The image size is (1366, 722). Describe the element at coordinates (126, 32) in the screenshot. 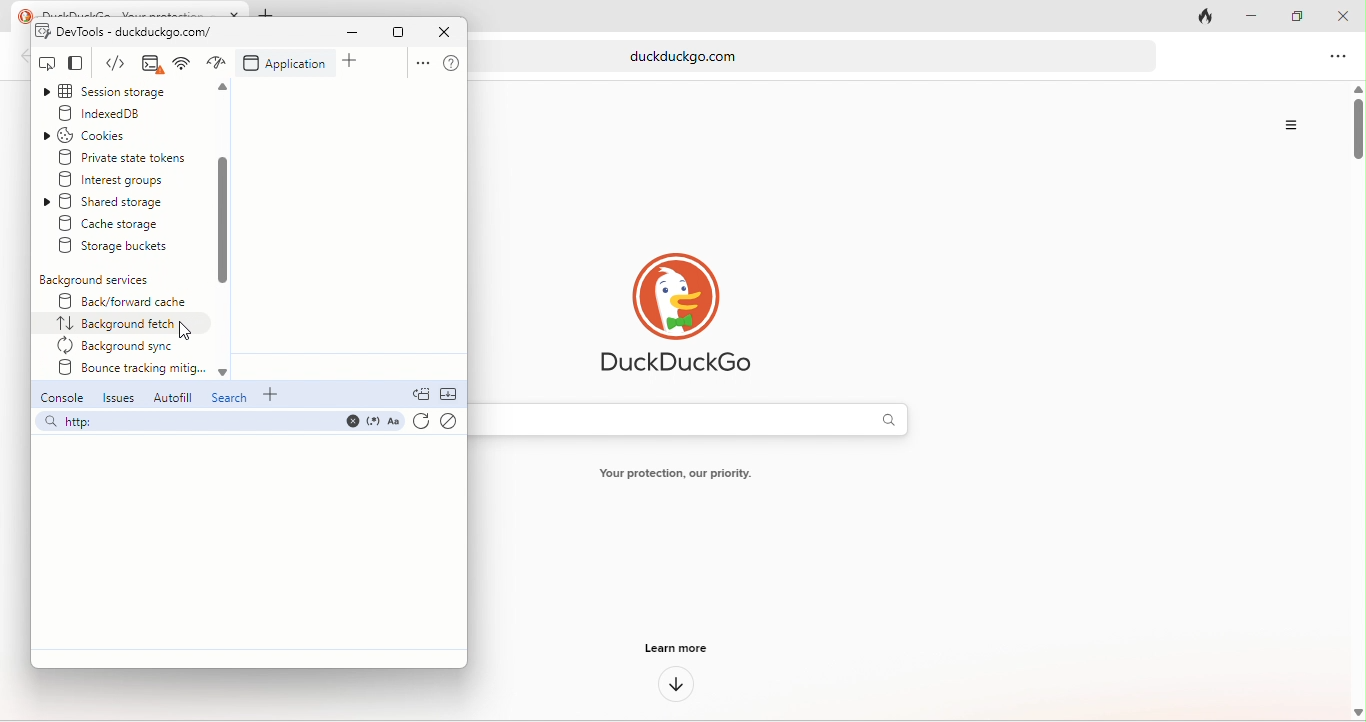

I see `dev tools` at that location.